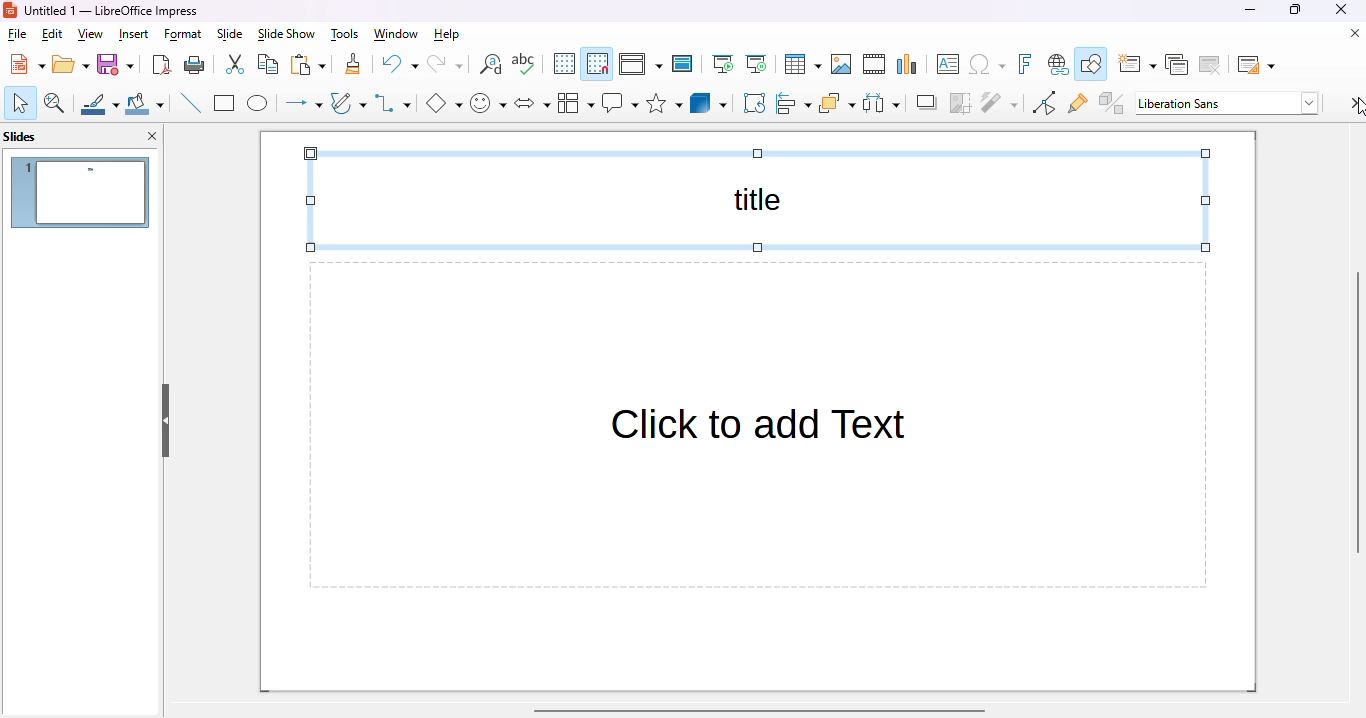 Image resolution: width=1366 pixels, height=718 pixels. What do you see at coordinates (908, 65) in the screenshot?
I see `insert chart` at bounding box center [908, 65].